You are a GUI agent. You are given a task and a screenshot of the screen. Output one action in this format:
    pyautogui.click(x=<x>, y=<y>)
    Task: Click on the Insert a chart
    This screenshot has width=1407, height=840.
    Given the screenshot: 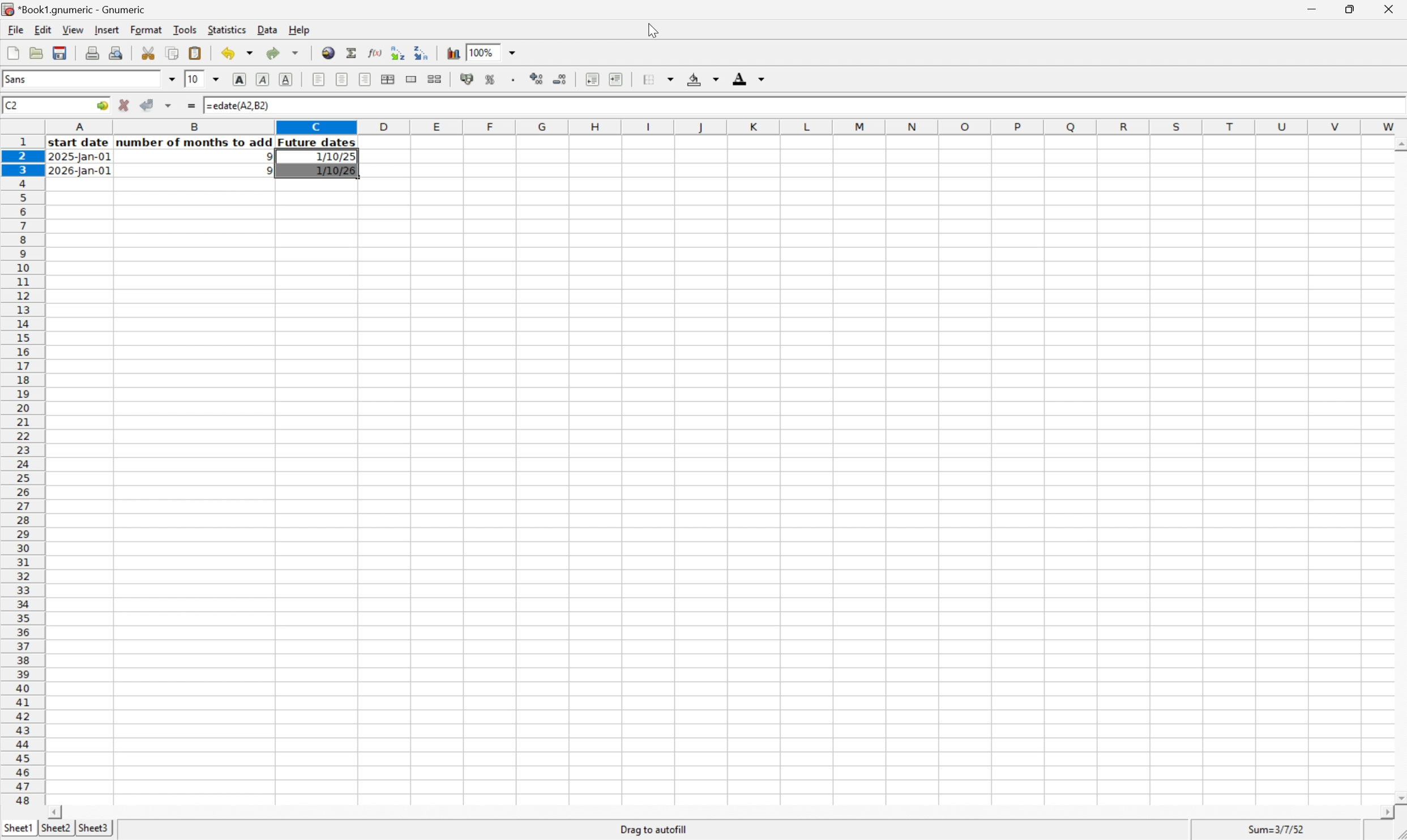 What is the action you would take?
    pyautogui.click(x=454, y=53)
    